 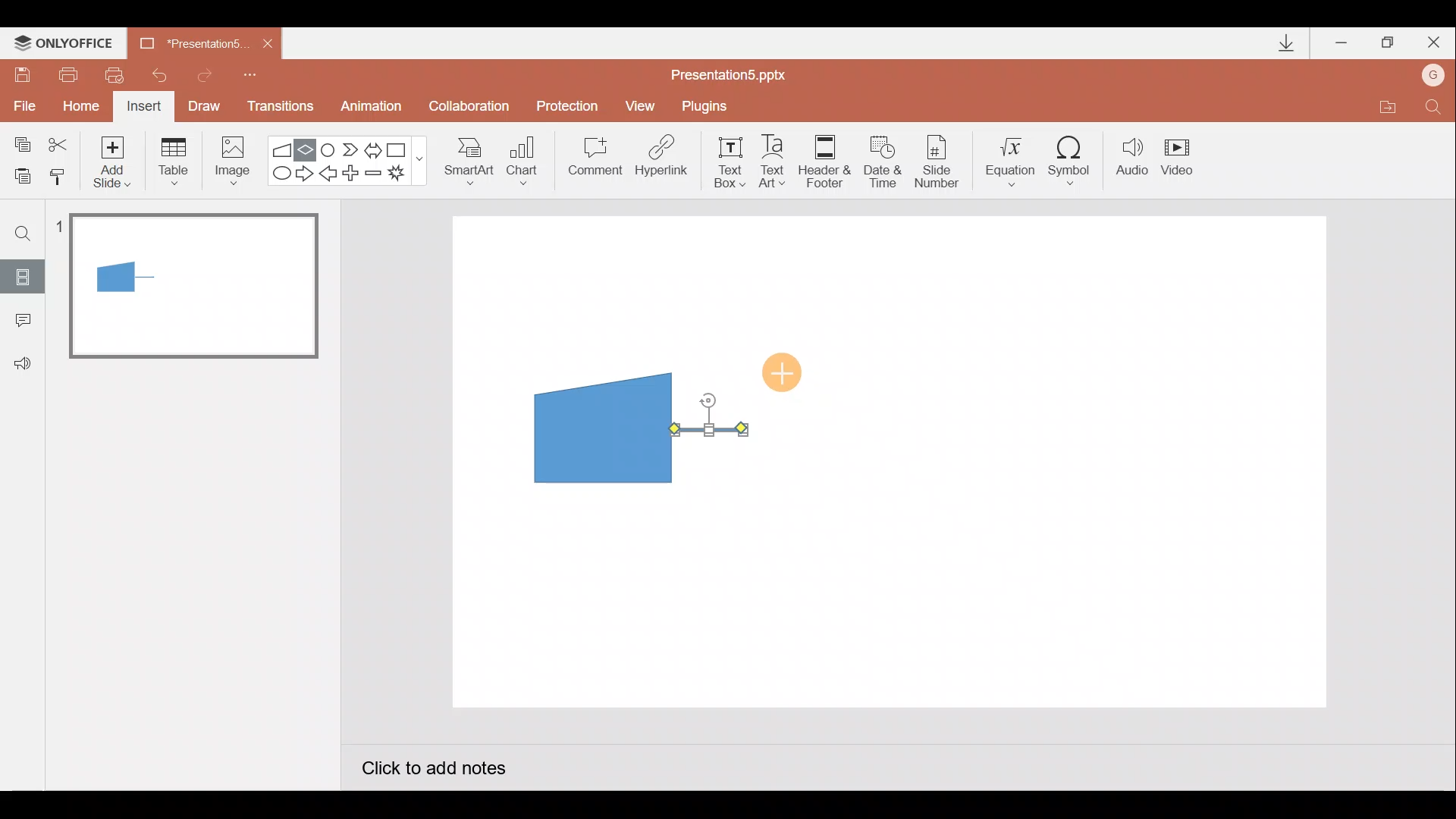 I want to click on SmartArt, so click(x=463, y=160).